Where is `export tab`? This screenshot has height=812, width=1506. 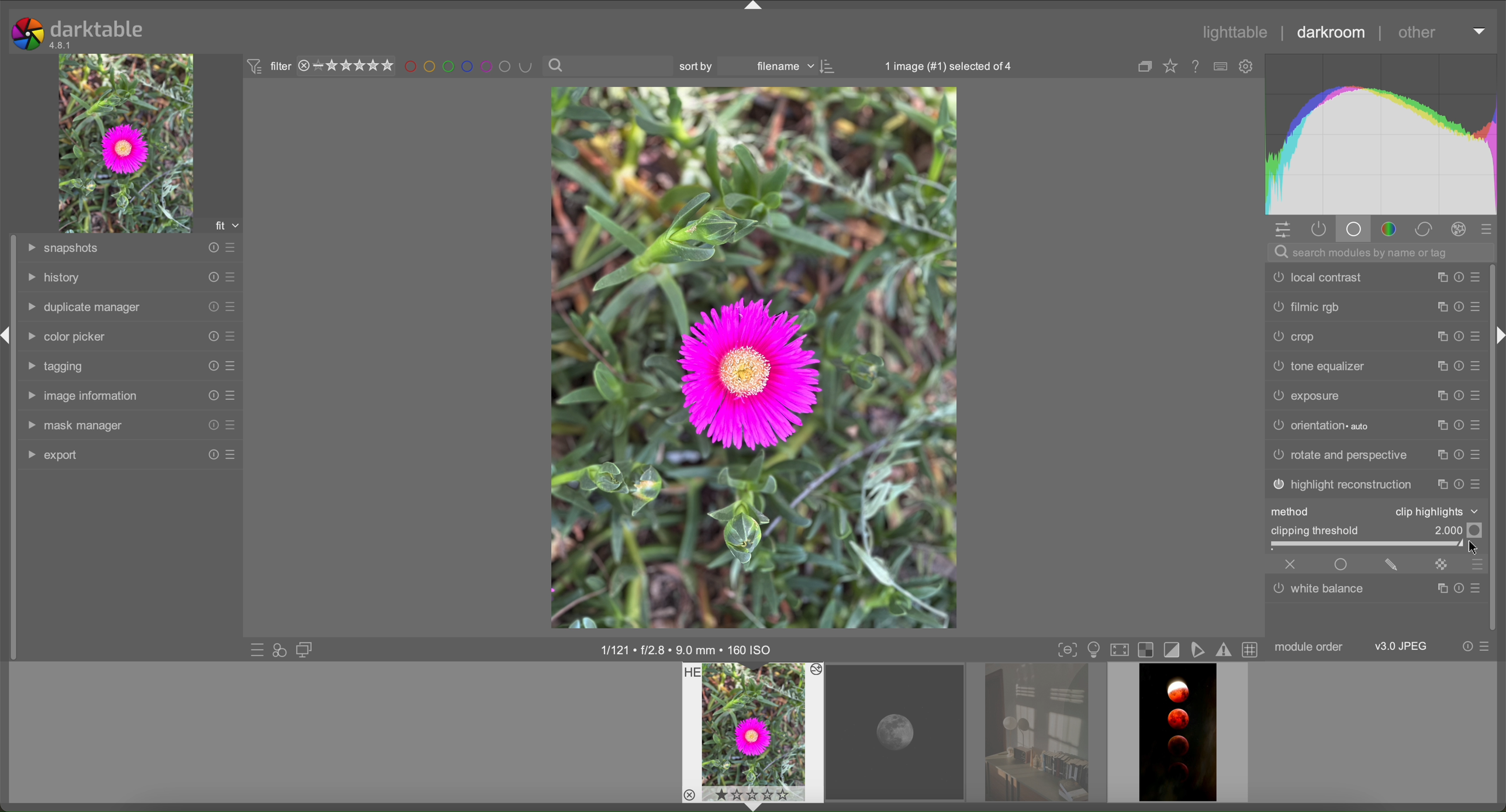 export tab is located at coordinates (53, 454).